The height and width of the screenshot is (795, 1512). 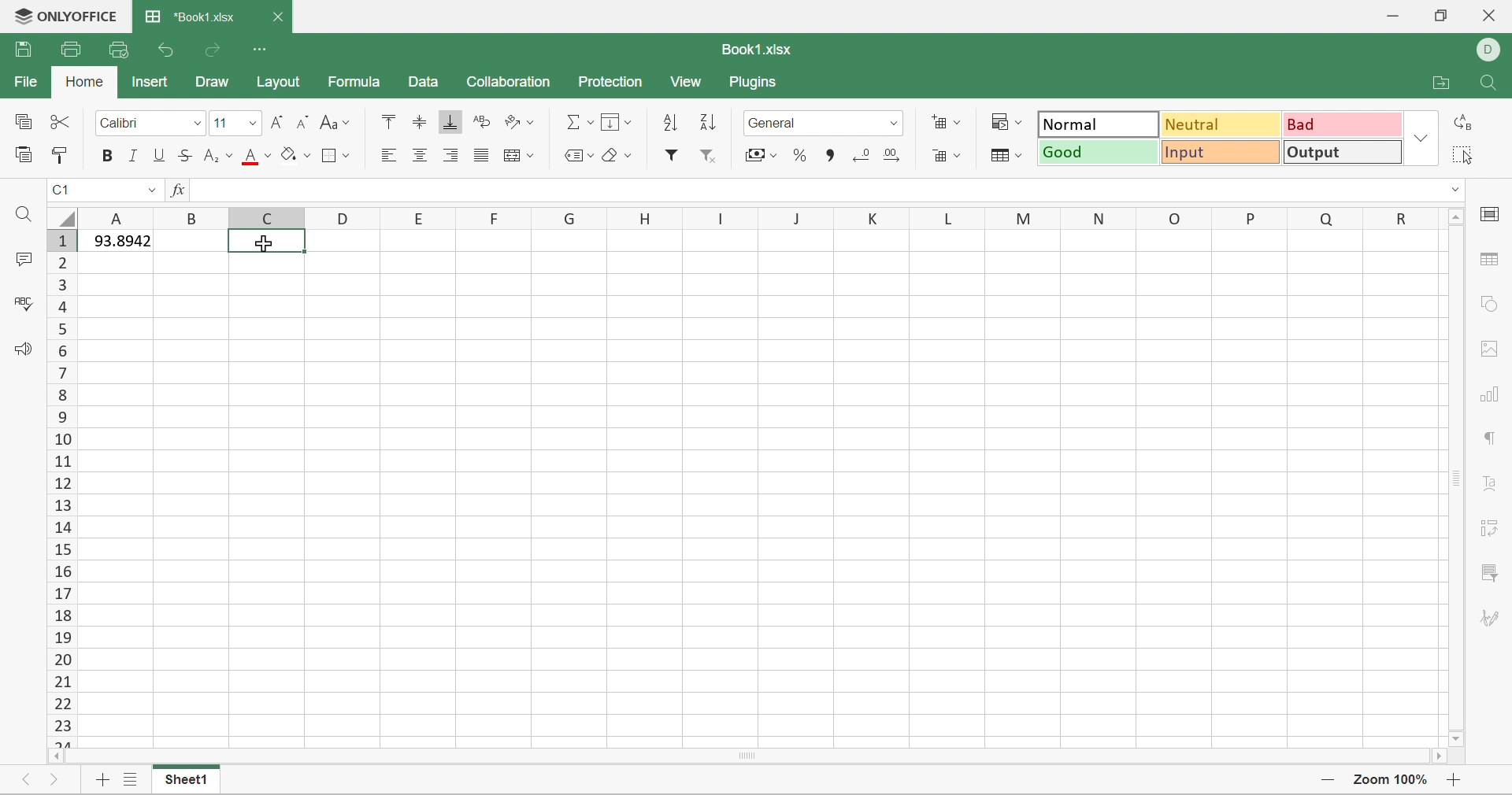 What do you see at coordinates (53, 782) in the screenshot?
I see `Next` at bounding box center [53, 782].